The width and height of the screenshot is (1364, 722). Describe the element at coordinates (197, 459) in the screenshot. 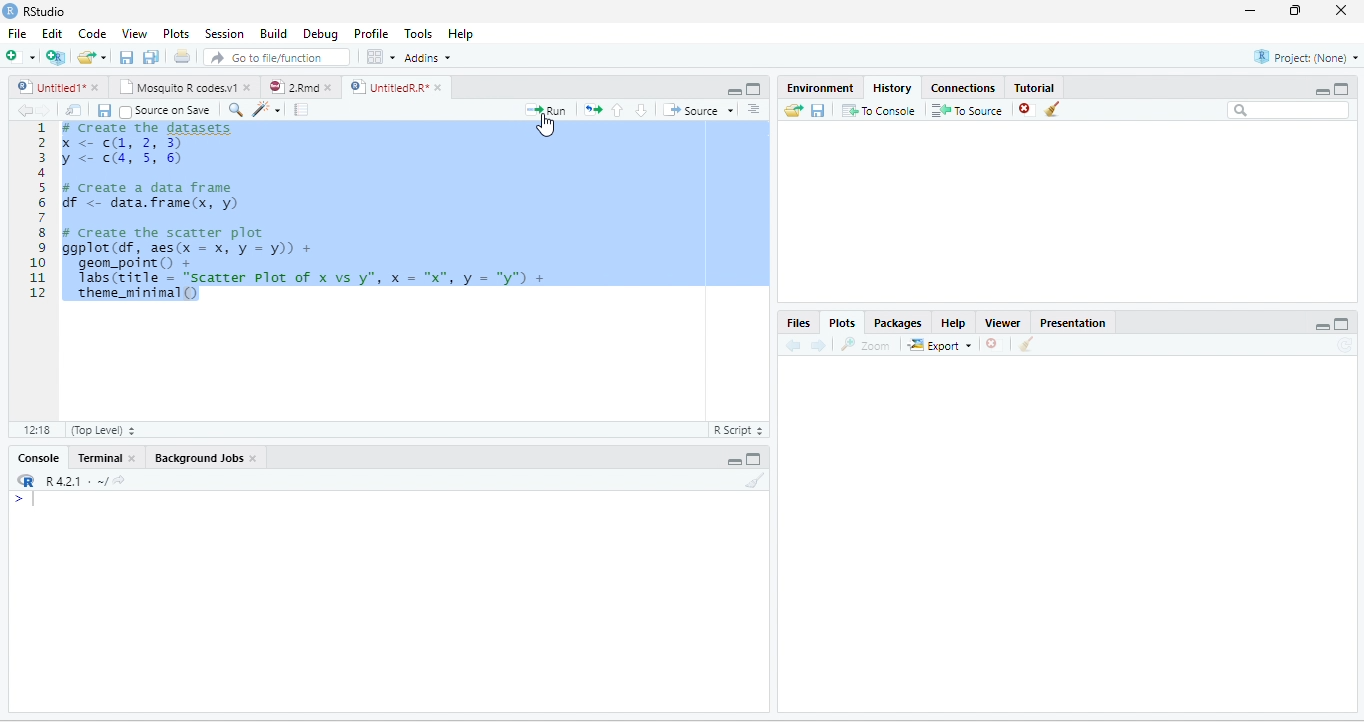

I see `Background Jobs` at that location.